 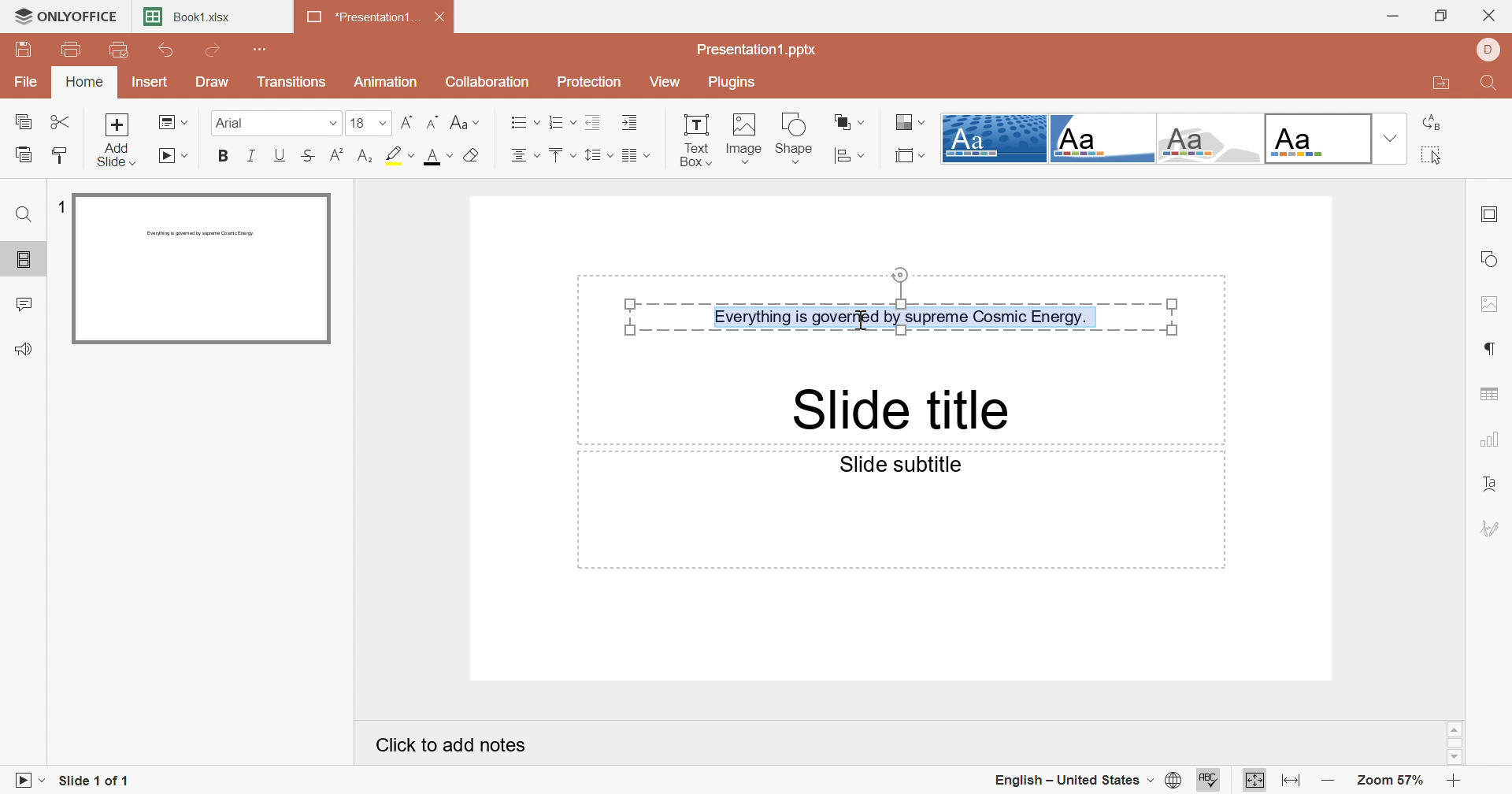 I want to click on Signature settings, so click(x=1492, y=528).